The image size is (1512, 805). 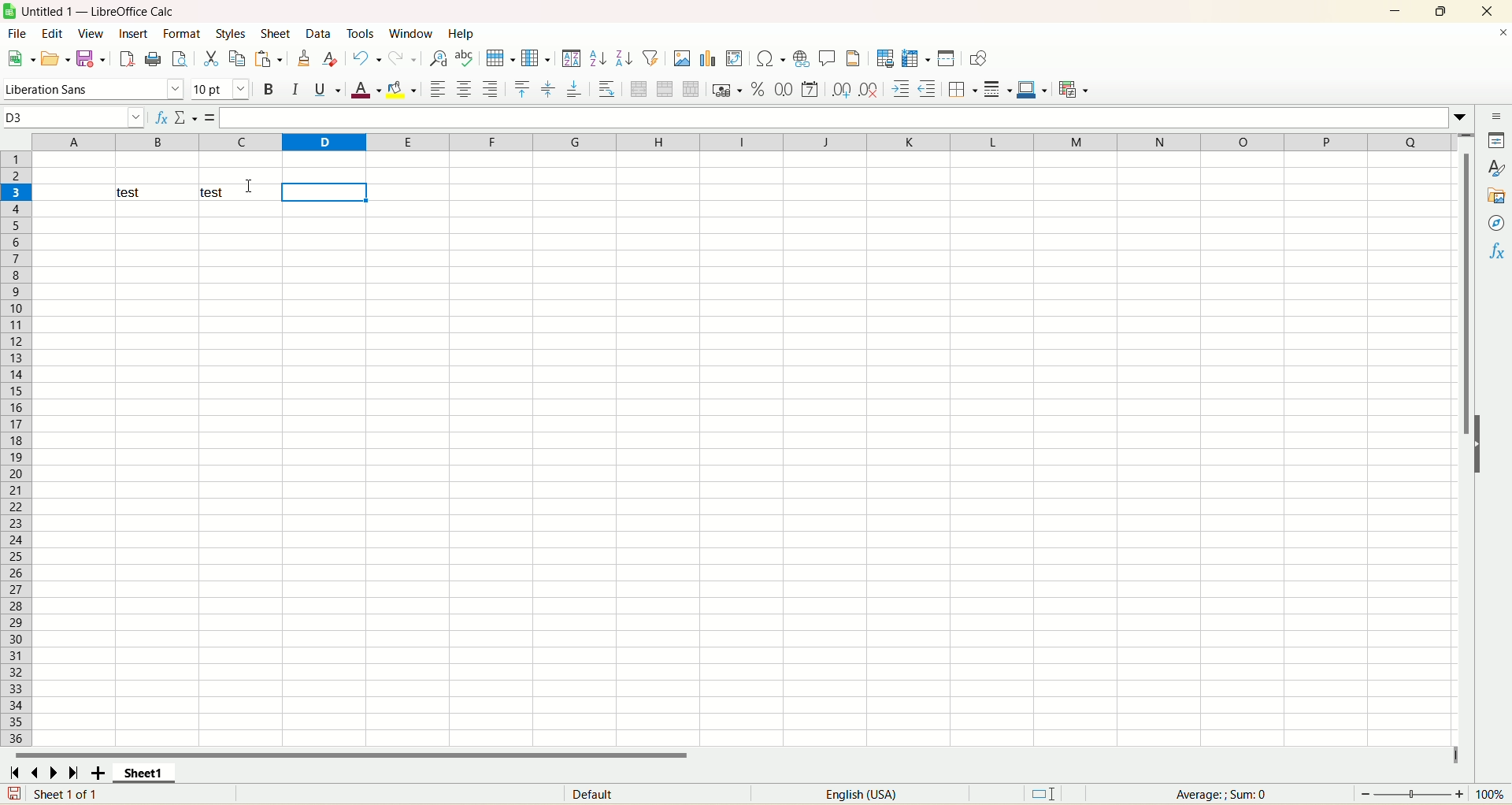 I want to click on merge and center, so click(x=639, y=89).